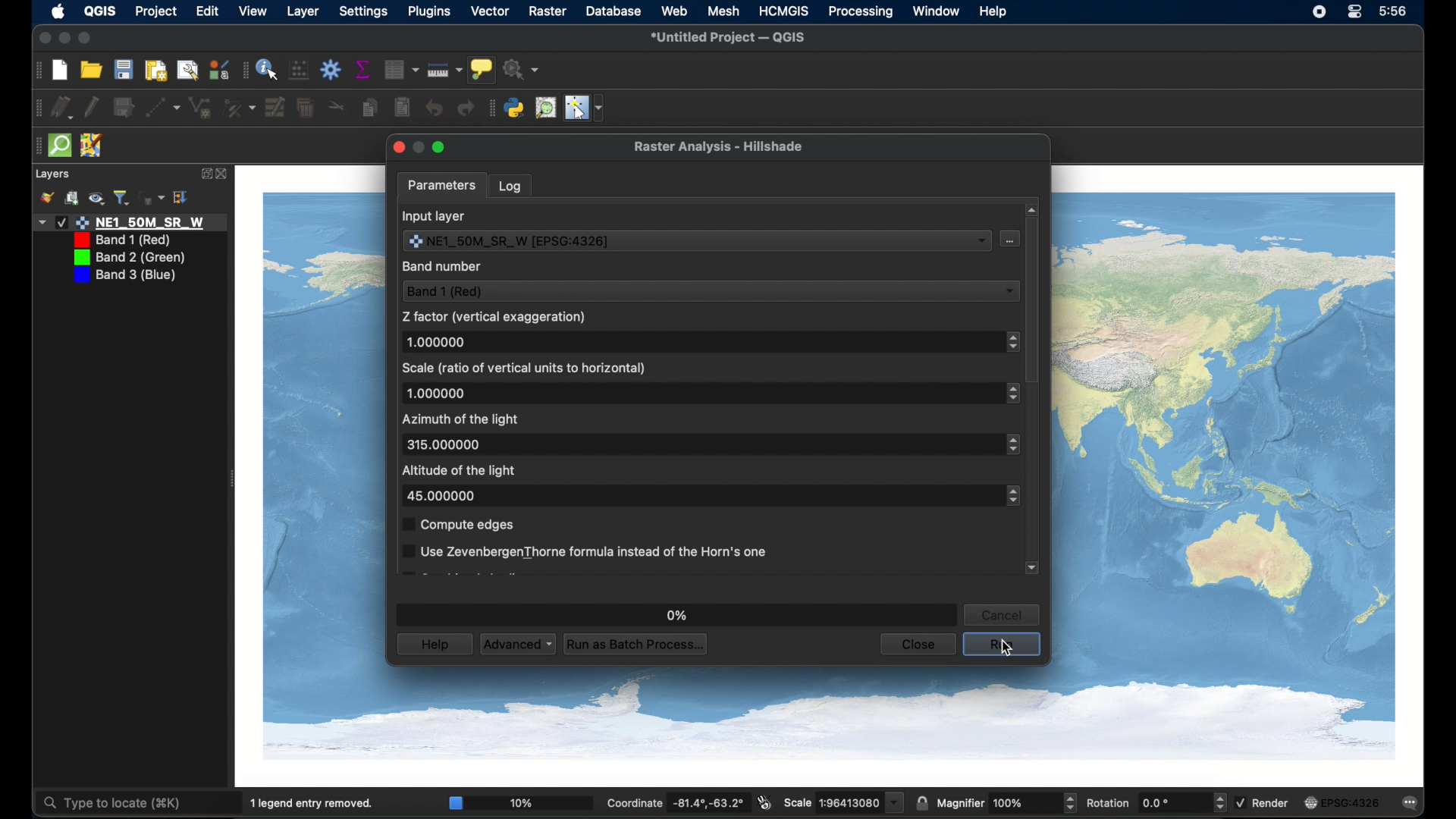  What do you see at coordinates (1156, 802) in the screenshot?
I see `rotation` at bounding box center [1156, 802].